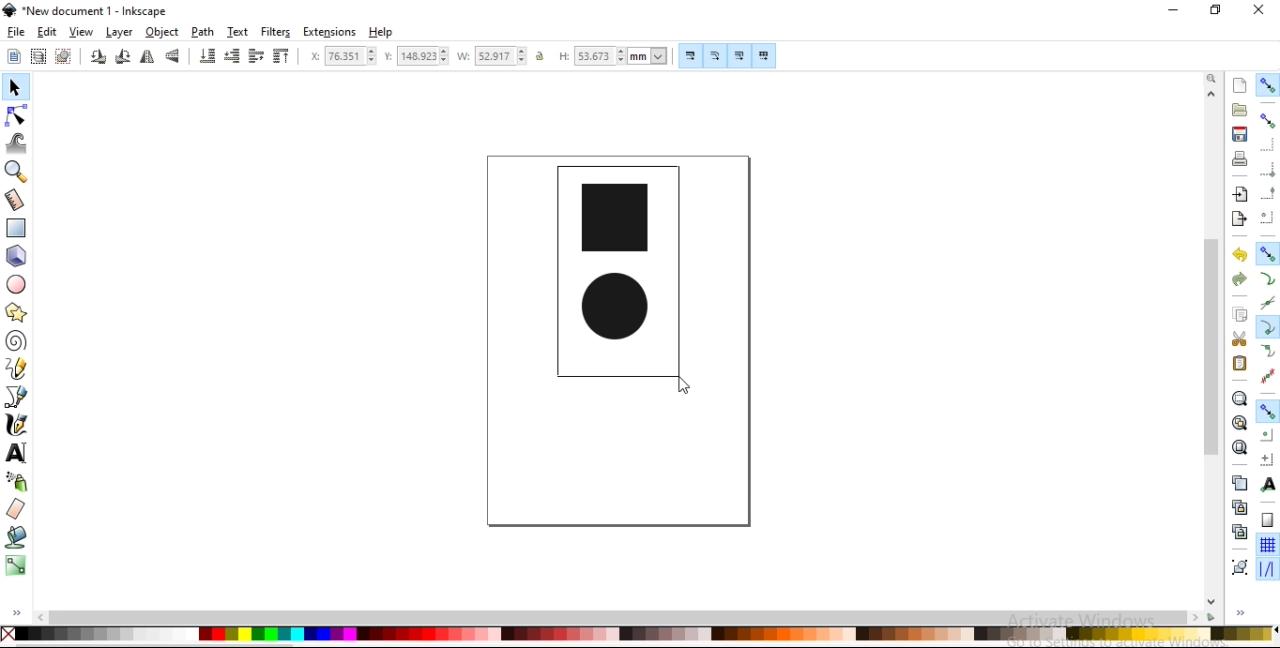 This screenshot has width=1280, height=648. What do you see at coordinates (18, 423) in the screenshot?
I see `draw calligraphic or brush strokes` at bounding box center [18, 423].